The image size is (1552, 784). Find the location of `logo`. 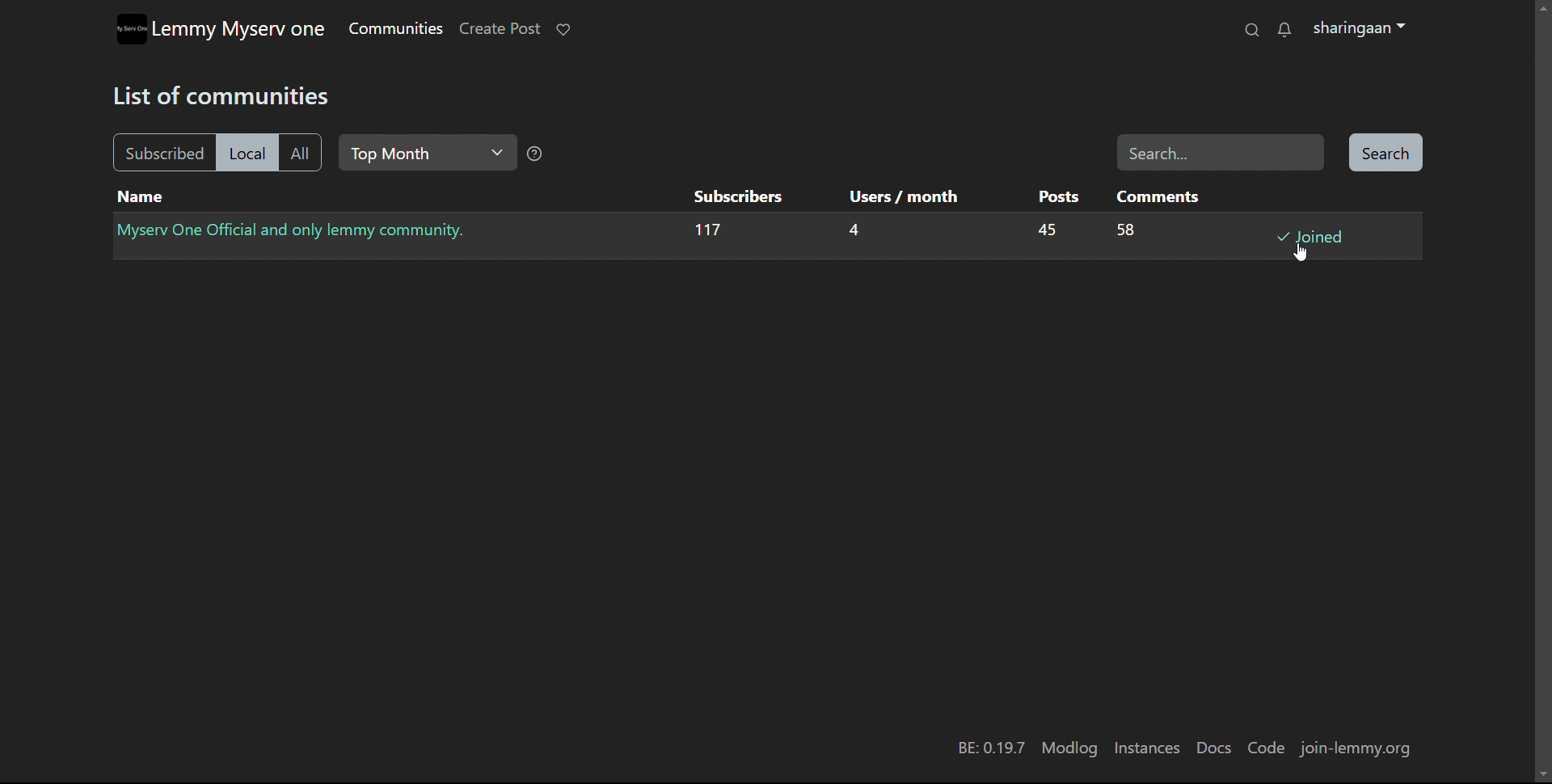

logo is located at coordinates (130, 29).